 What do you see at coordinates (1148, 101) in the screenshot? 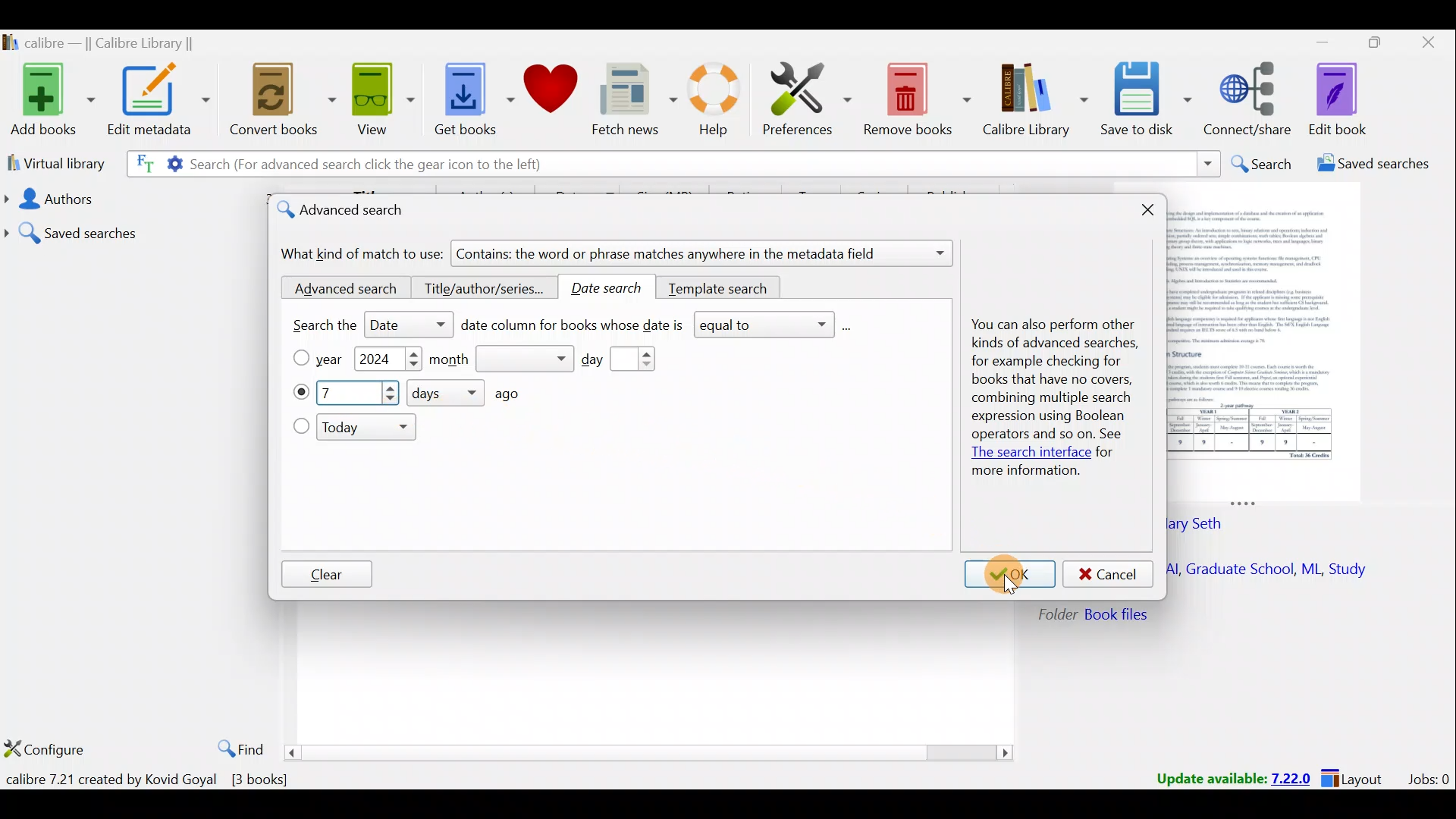
I see `Save to disk` at bounding box center [1148, 101].